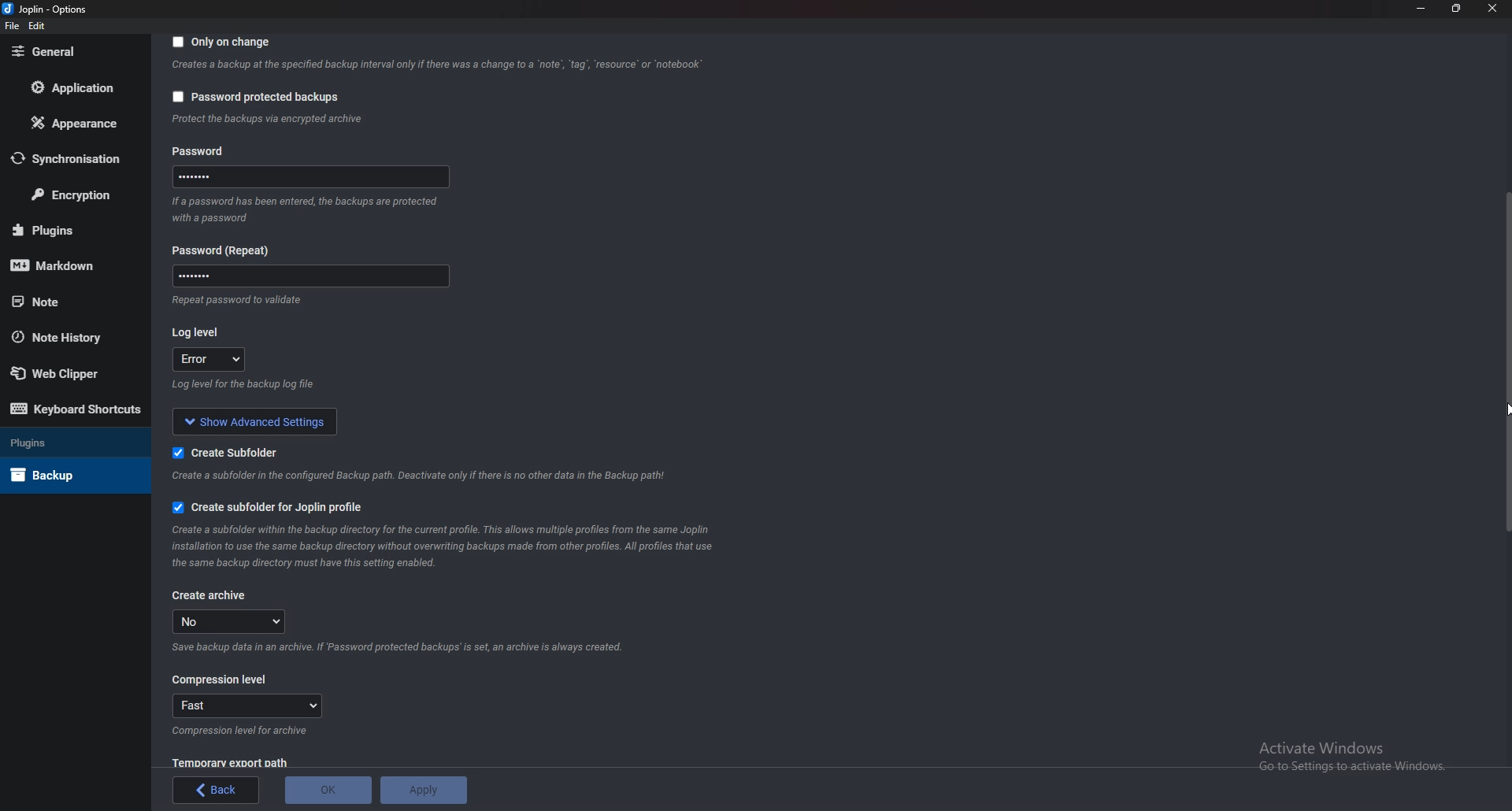 The width and height of the screenshot is (1512, 811). I want to click on Info on subfolder for joplin profile, so click(457, 546).